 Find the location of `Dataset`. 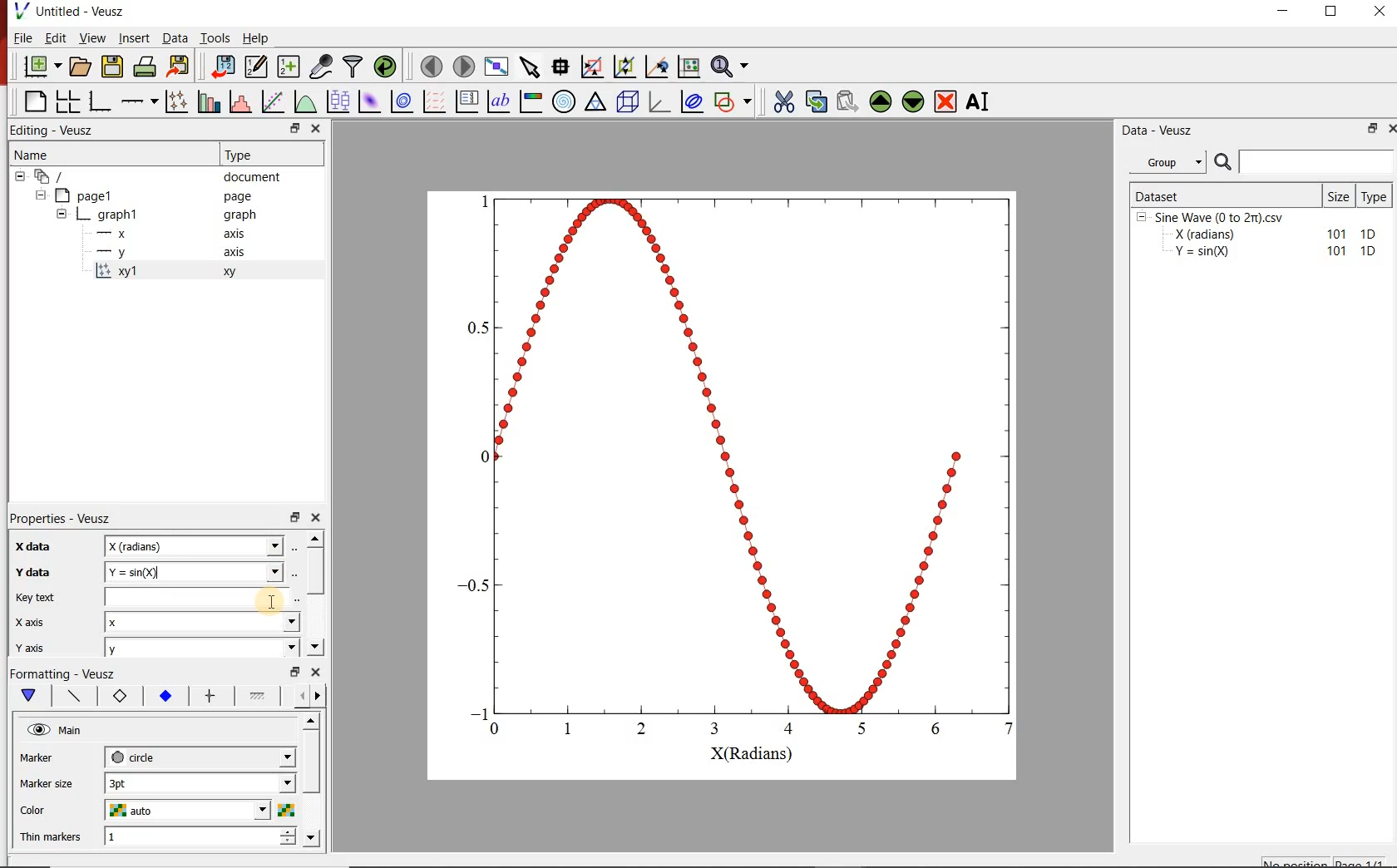

Dataset is located at coordinates (1224, 195).